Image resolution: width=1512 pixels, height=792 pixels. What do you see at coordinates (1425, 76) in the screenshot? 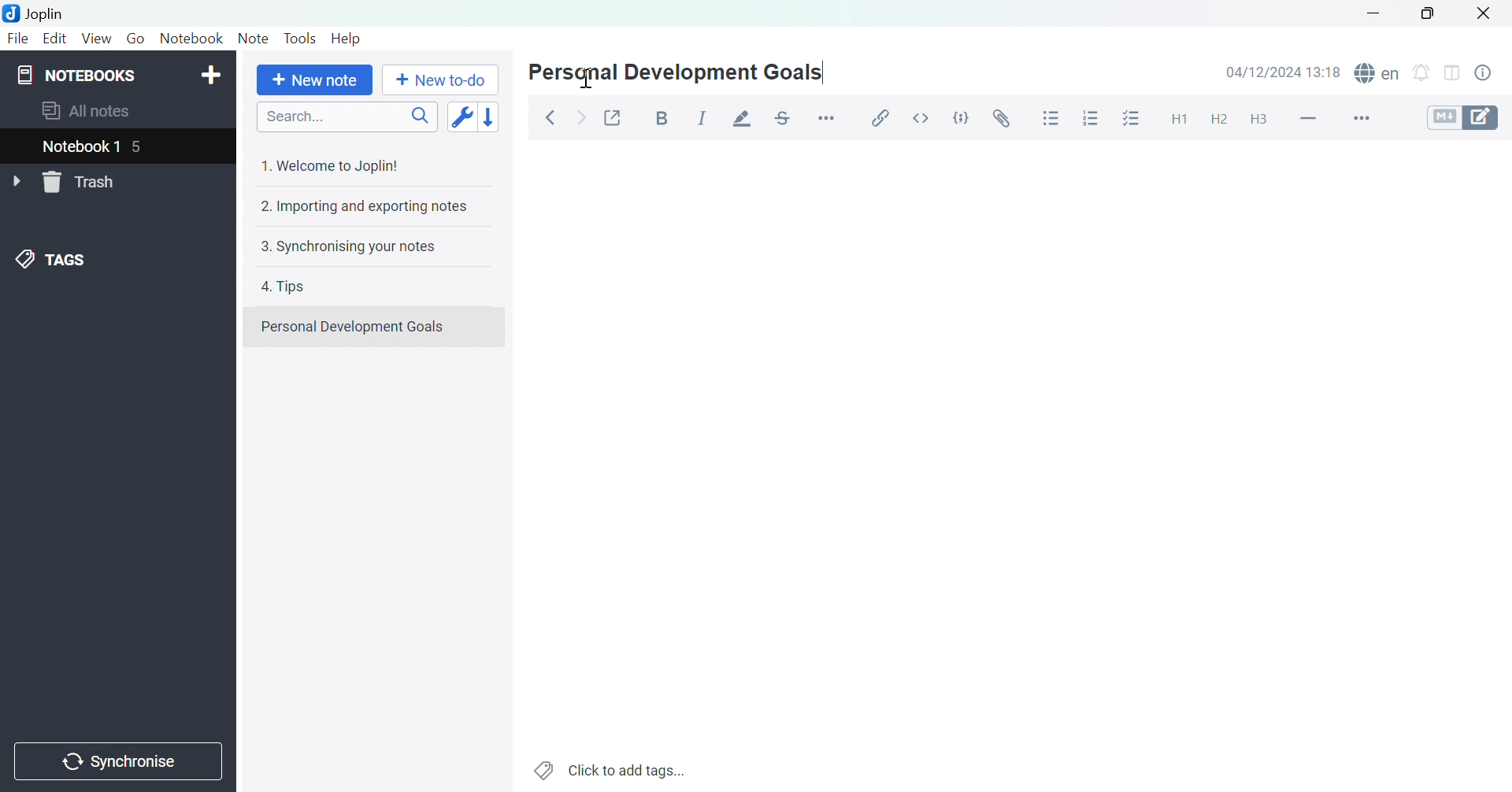
I see `set alarm` at bounding box center [1425, 76].